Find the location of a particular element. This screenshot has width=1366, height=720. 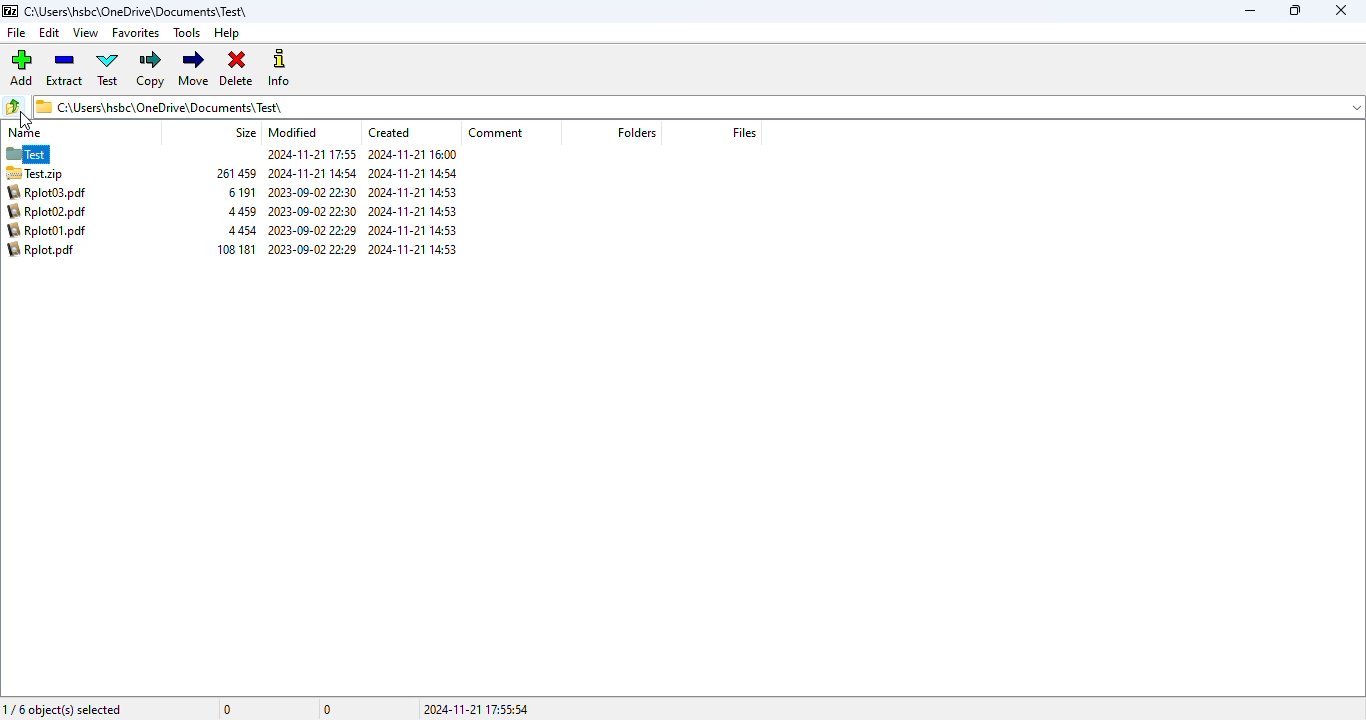

cursor is located at coordinates (24, 120).